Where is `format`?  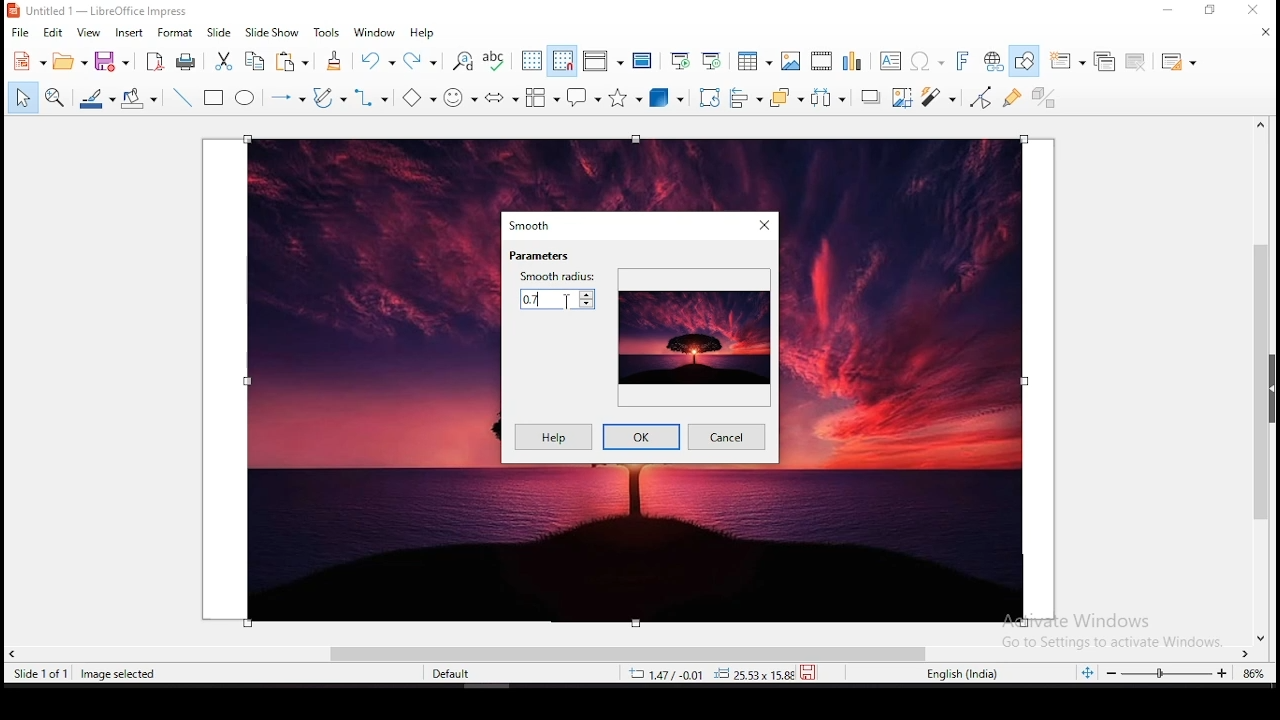
format is located at coordinates (176, 34).